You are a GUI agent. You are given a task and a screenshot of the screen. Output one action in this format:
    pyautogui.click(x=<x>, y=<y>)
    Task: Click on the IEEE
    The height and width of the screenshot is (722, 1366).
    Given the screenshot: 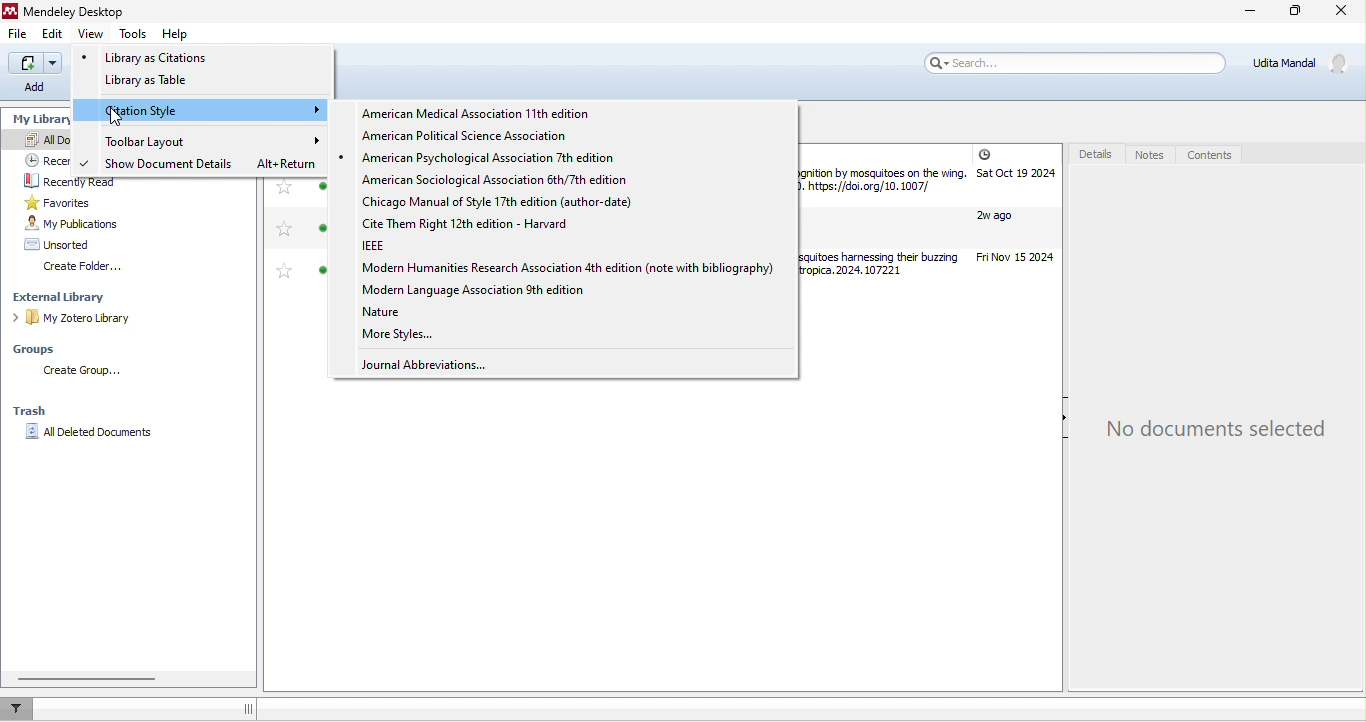 What is the action you would take?
    pyautogui.click(x=387, y=246)
    